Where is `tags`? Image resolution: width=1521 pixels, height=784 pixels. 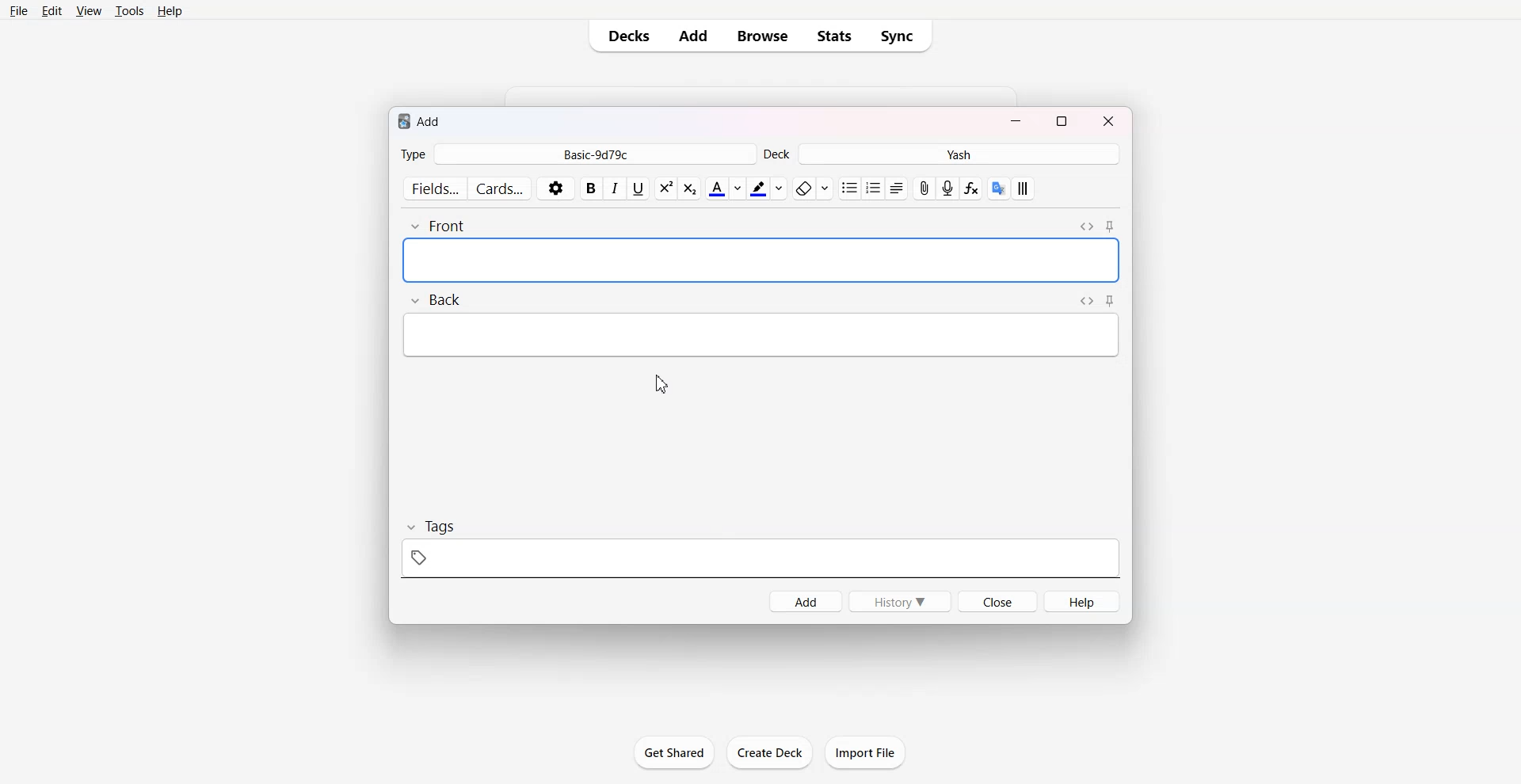
tags is located at coordinates (763, 558).